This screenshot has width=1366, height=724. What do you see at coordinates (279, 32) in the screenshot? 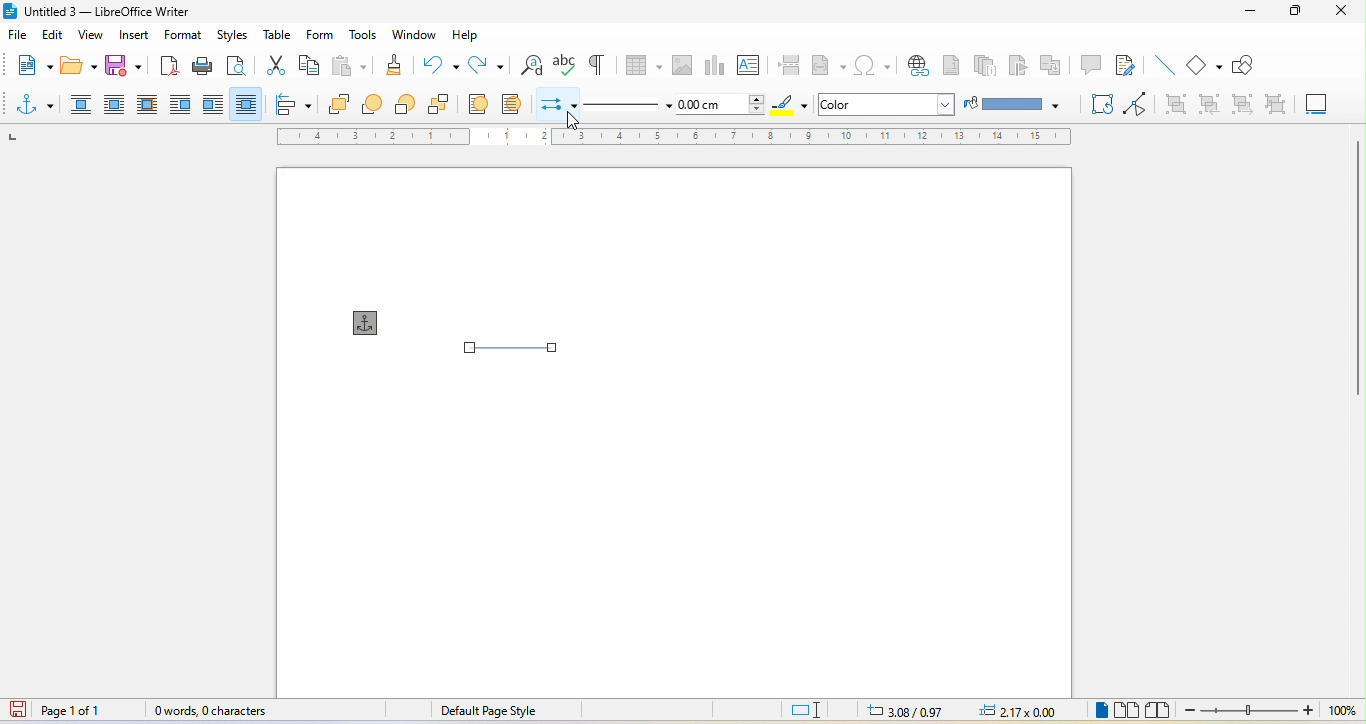
I see `table` at bounding box center [279, 32].